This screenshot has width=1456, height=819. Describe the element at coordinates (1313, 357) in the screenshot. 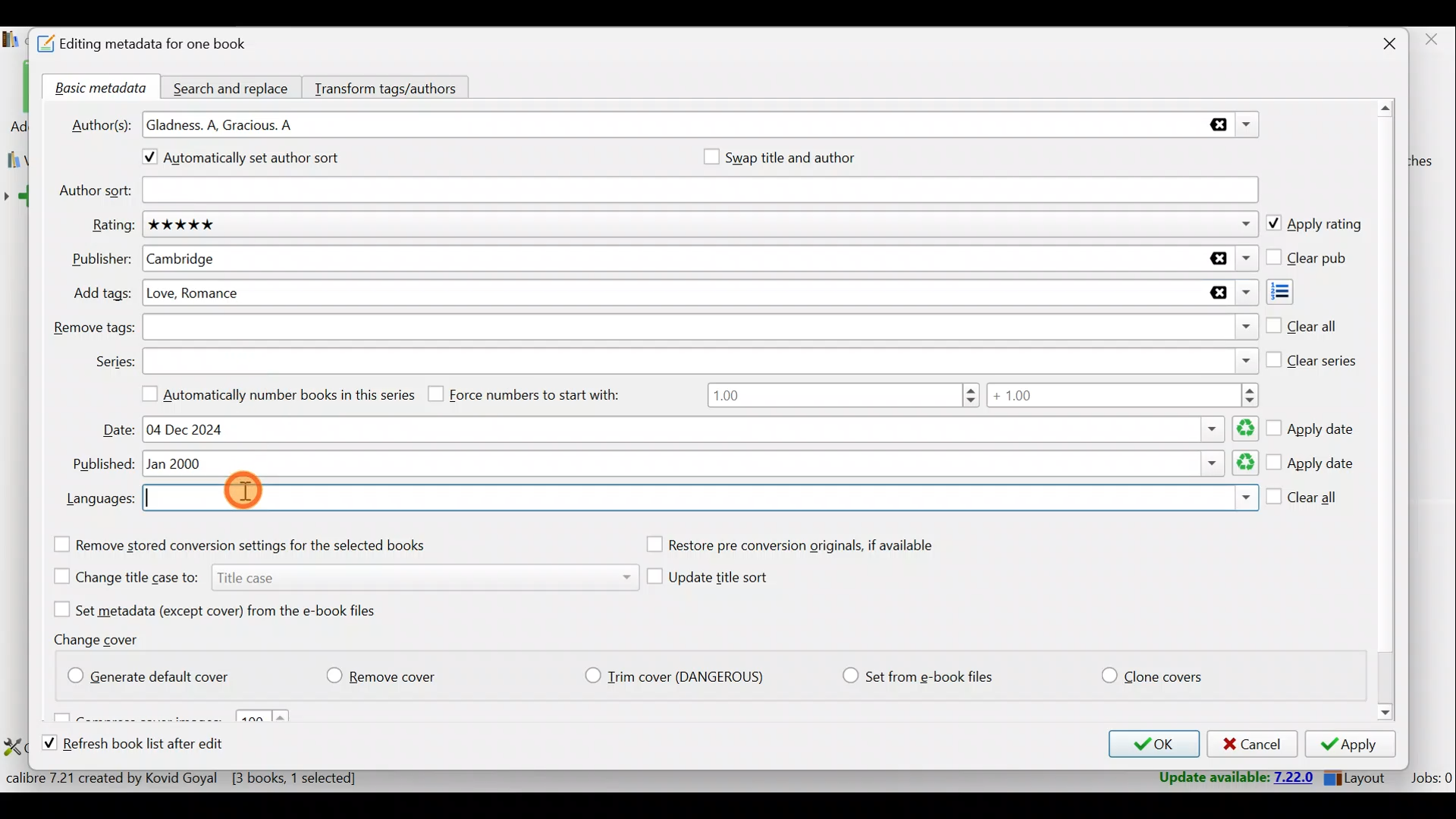

I see `Clear series` at that location.